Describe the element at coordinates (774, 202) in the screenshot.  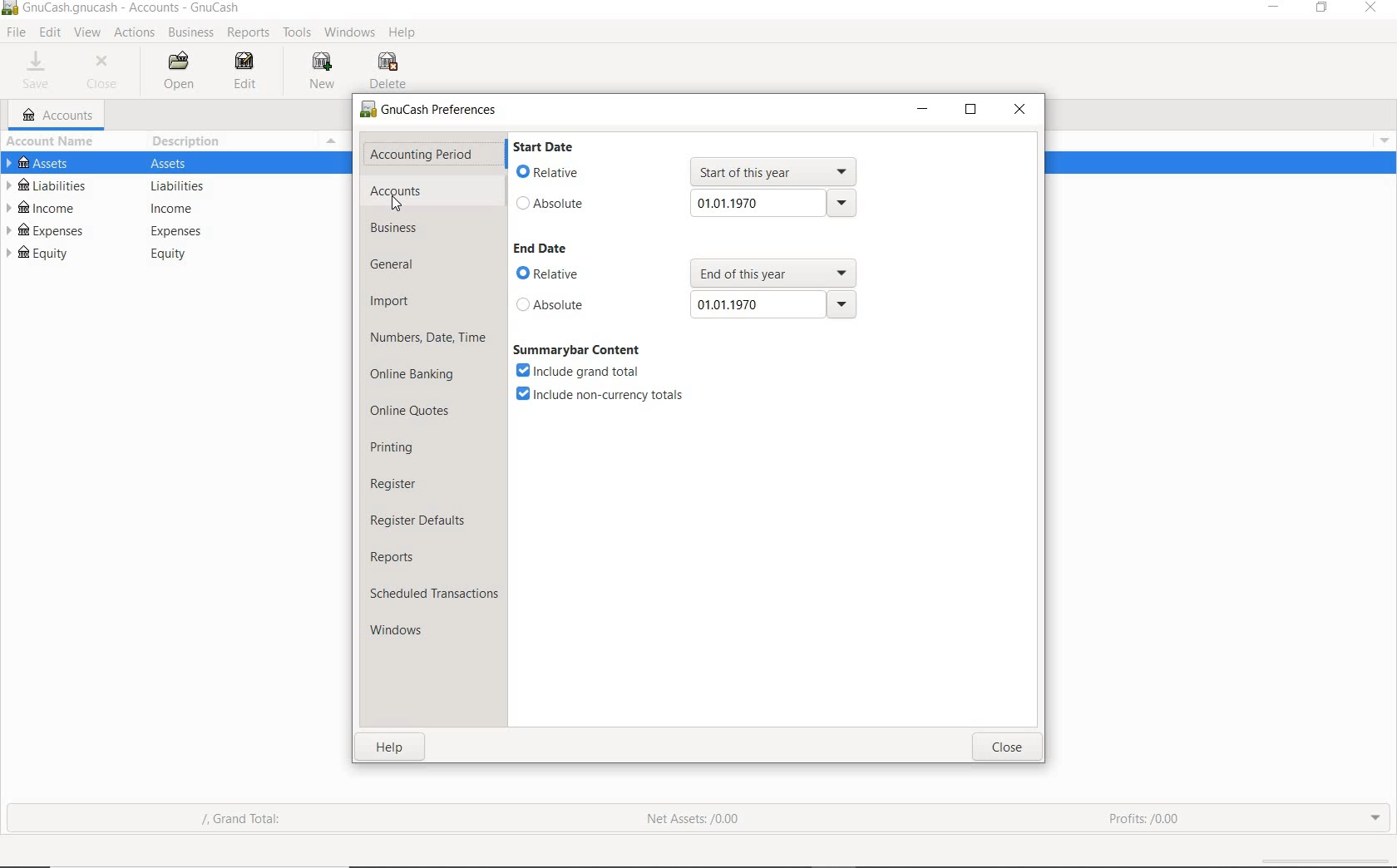
I see `` at that location.